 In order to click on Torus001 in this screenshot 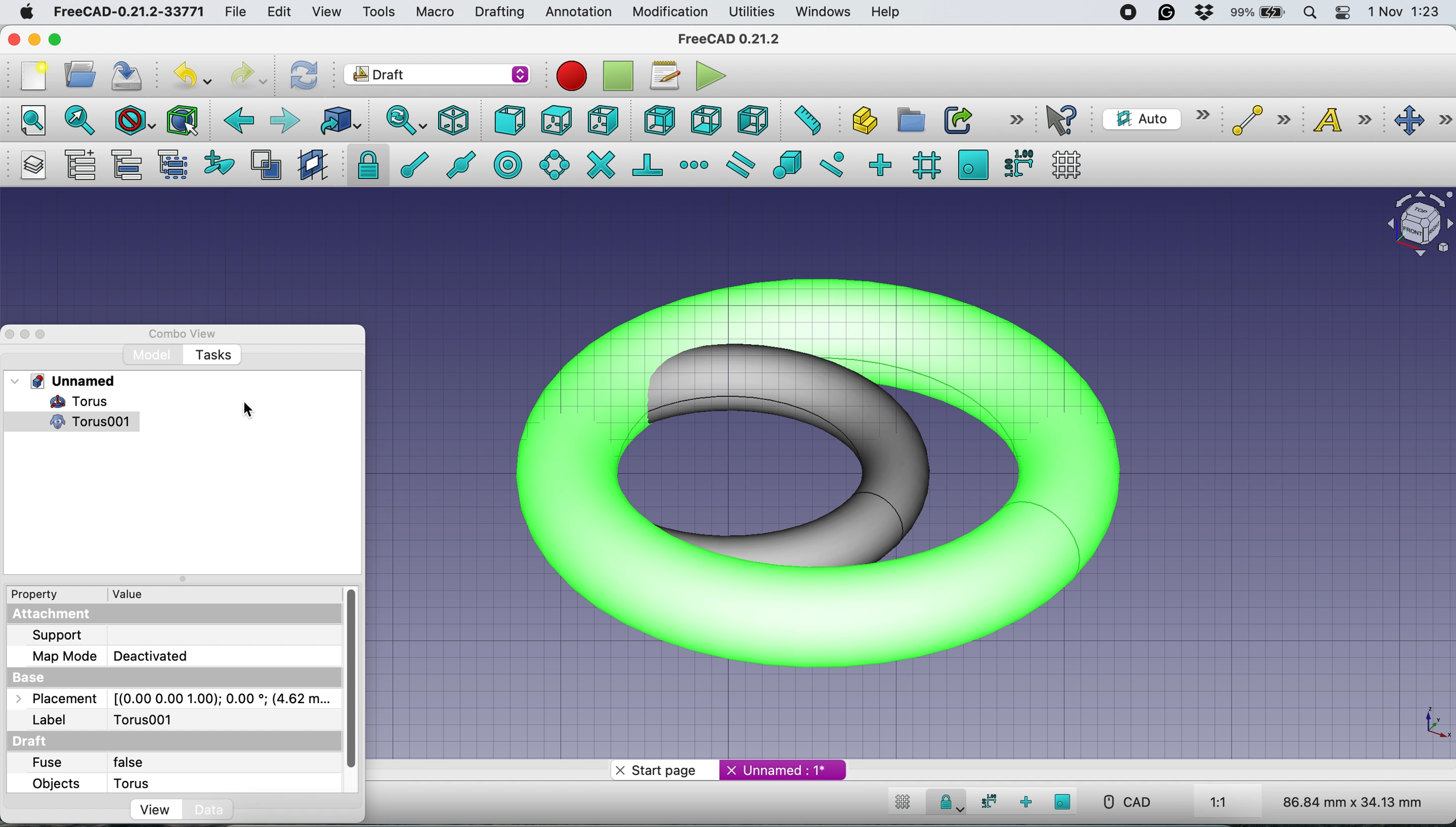, I will do `click(82, 423)`.